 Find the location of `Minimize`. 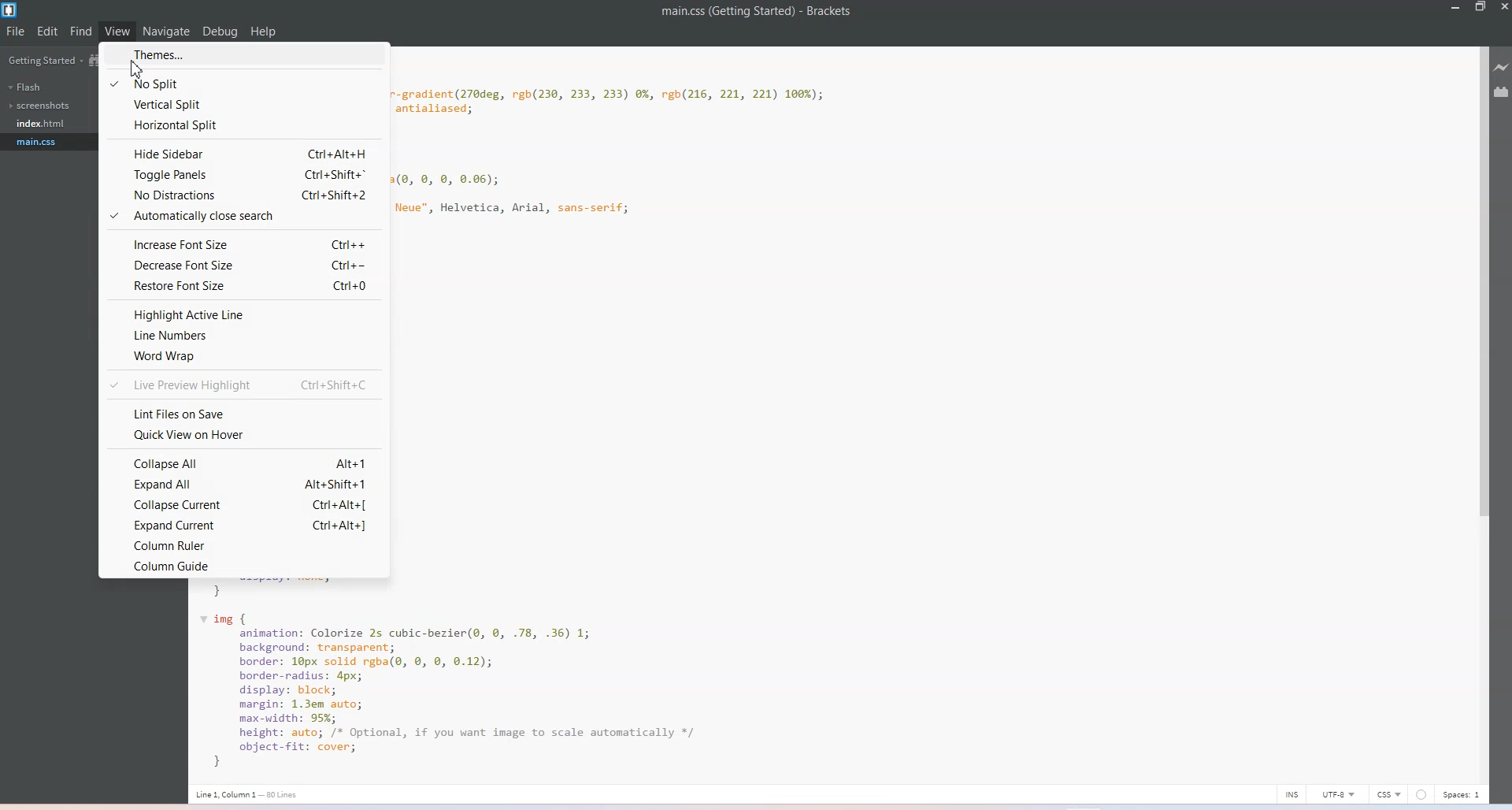

Minimize is located at coordinates (1456, 6).